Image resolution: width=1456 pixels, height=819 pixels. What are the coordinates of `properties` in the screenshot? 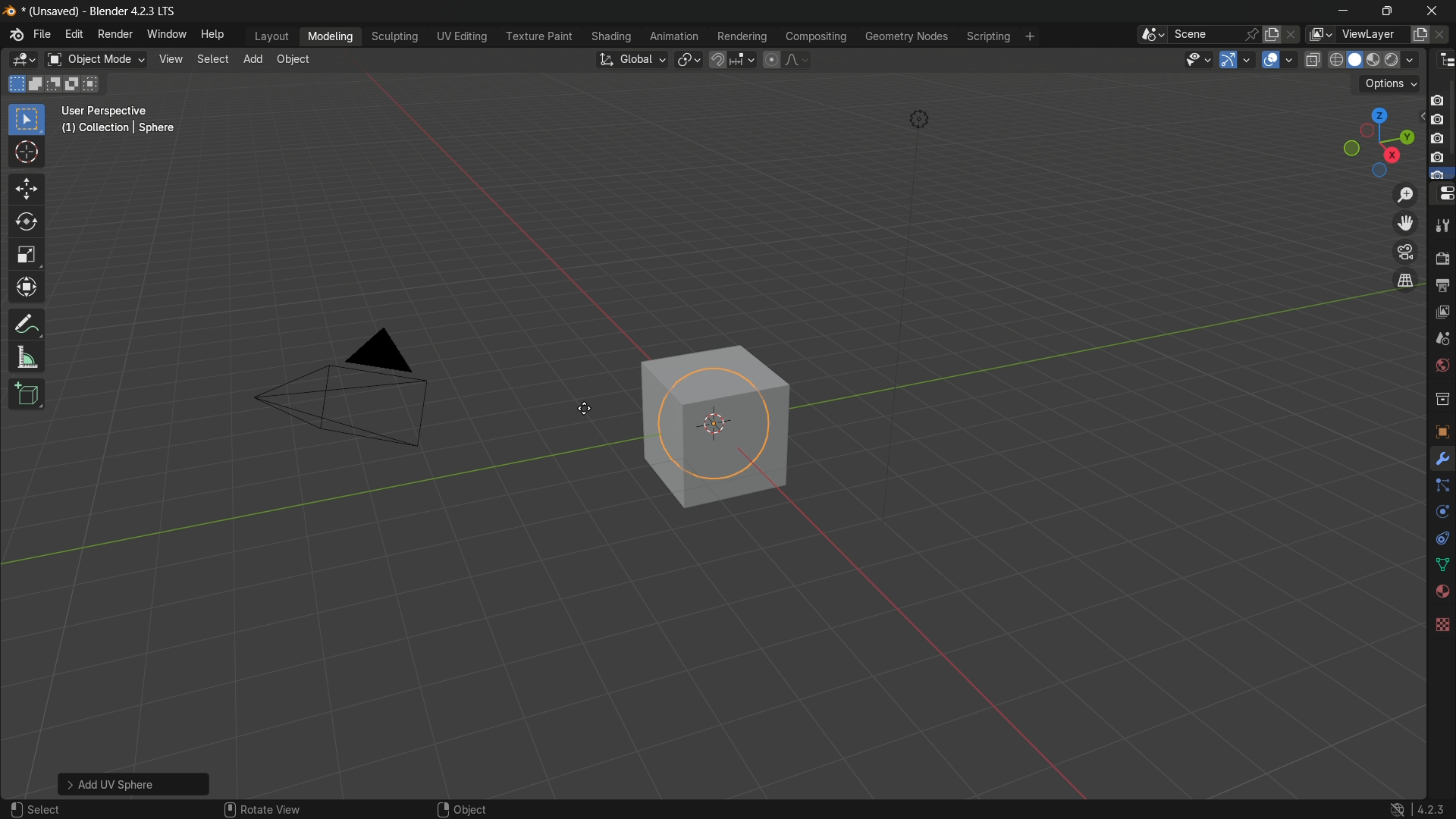 It's located at (1442, 194).